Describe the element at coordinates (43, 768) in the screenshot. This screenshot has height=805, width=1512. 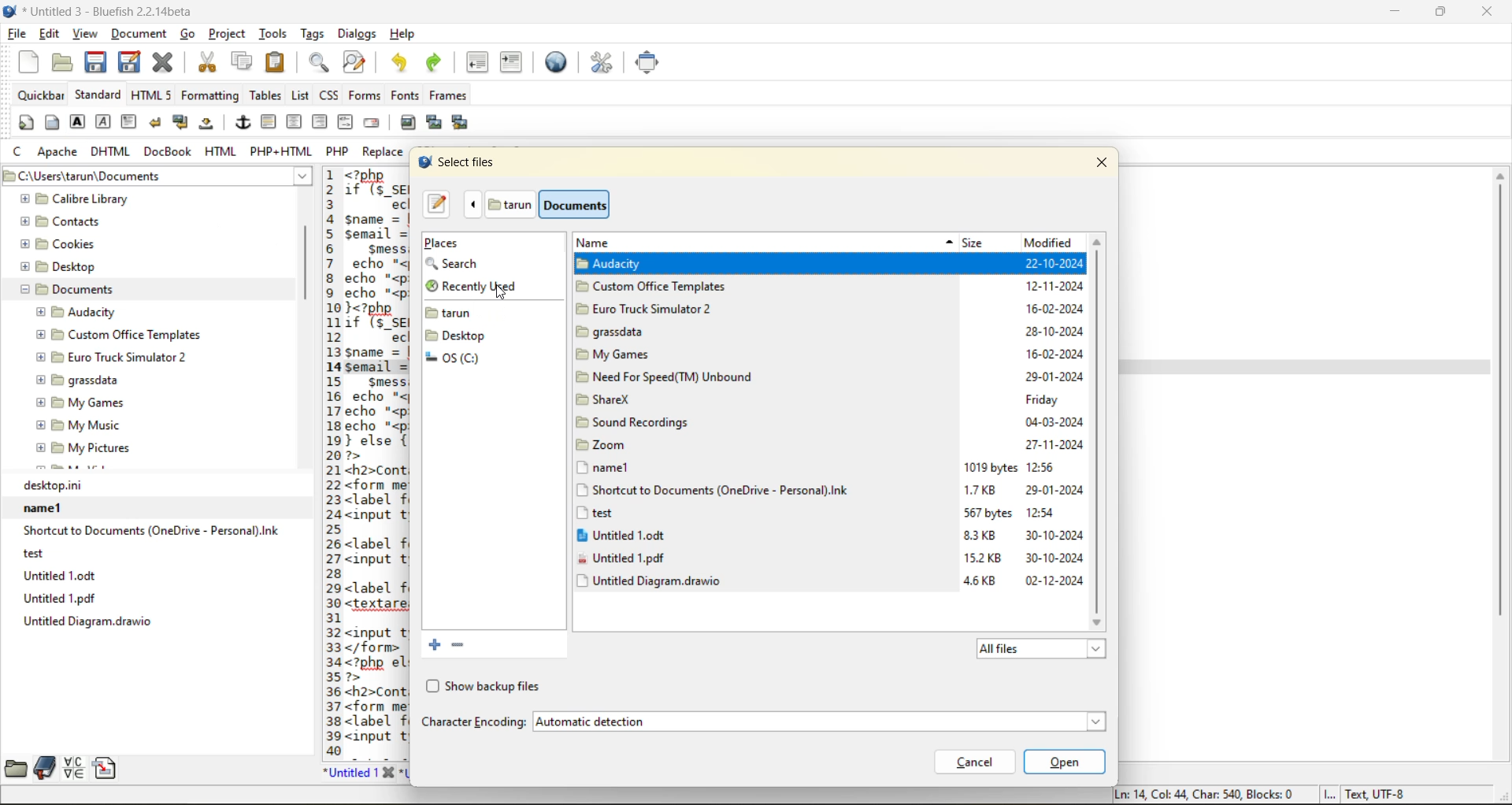
I see `bookmarks` at that location.